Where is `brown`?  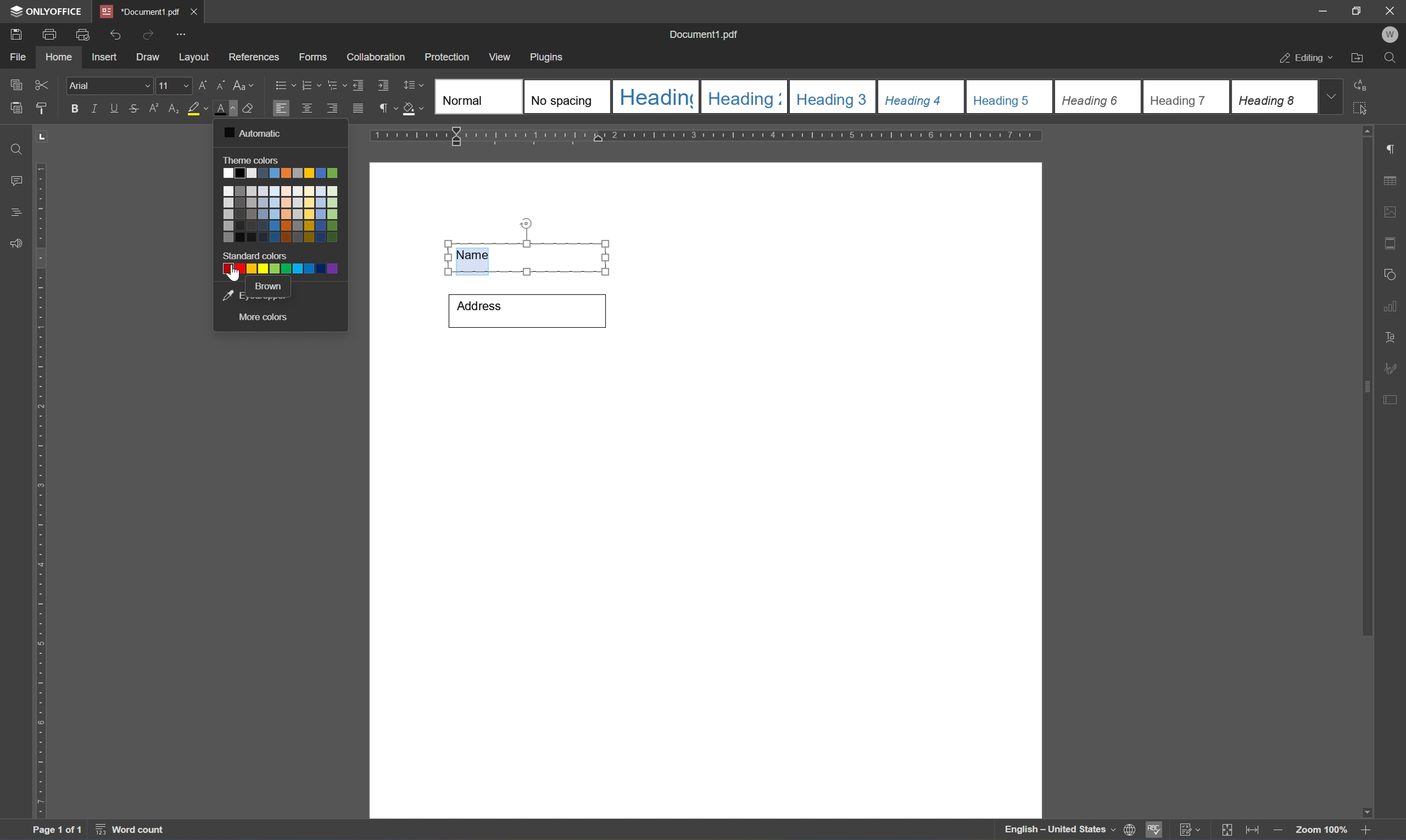
brown is located at coordinates (270, 288).